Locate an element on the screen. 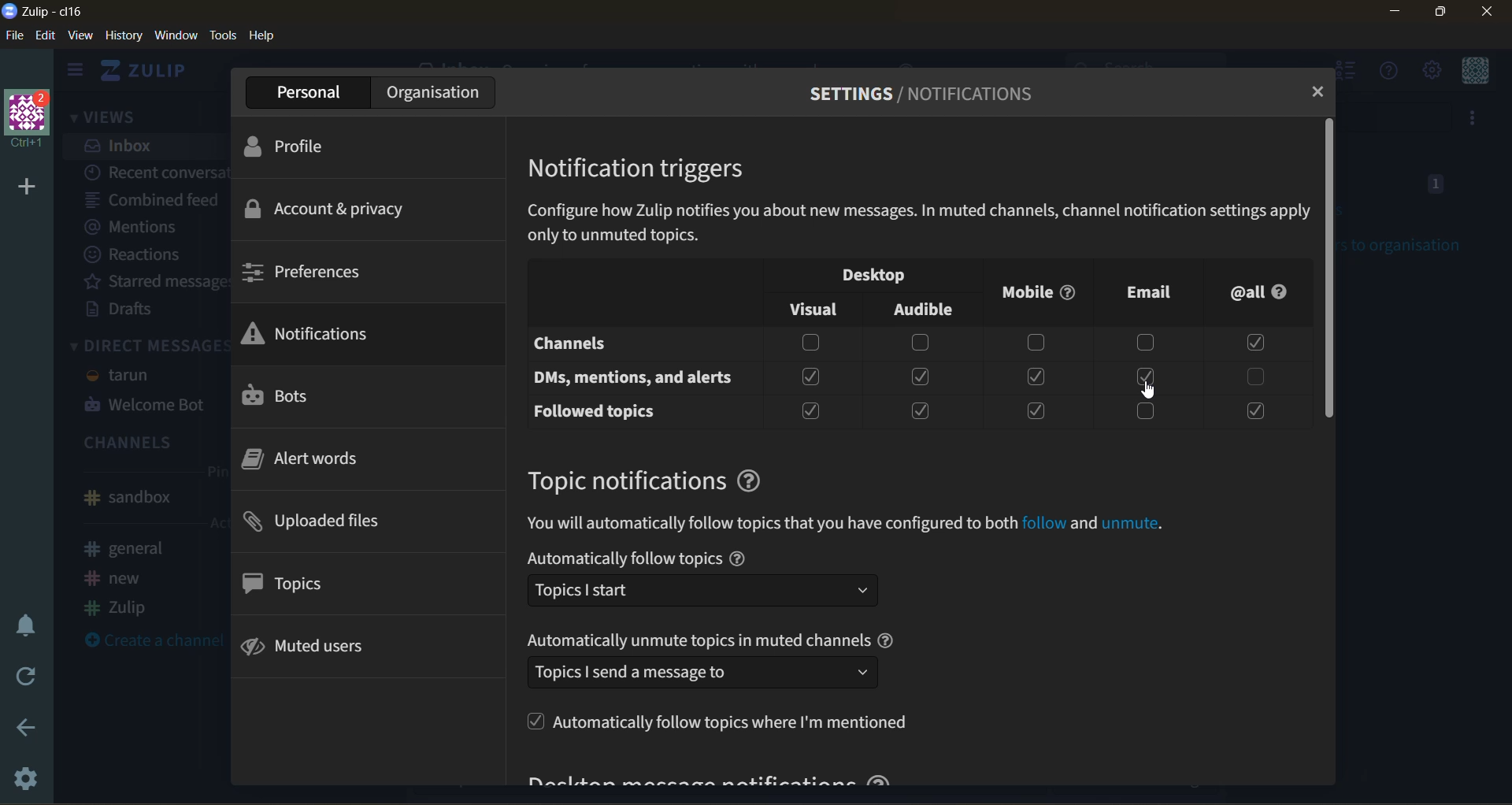  preferences is located at coordinates (324, 272).